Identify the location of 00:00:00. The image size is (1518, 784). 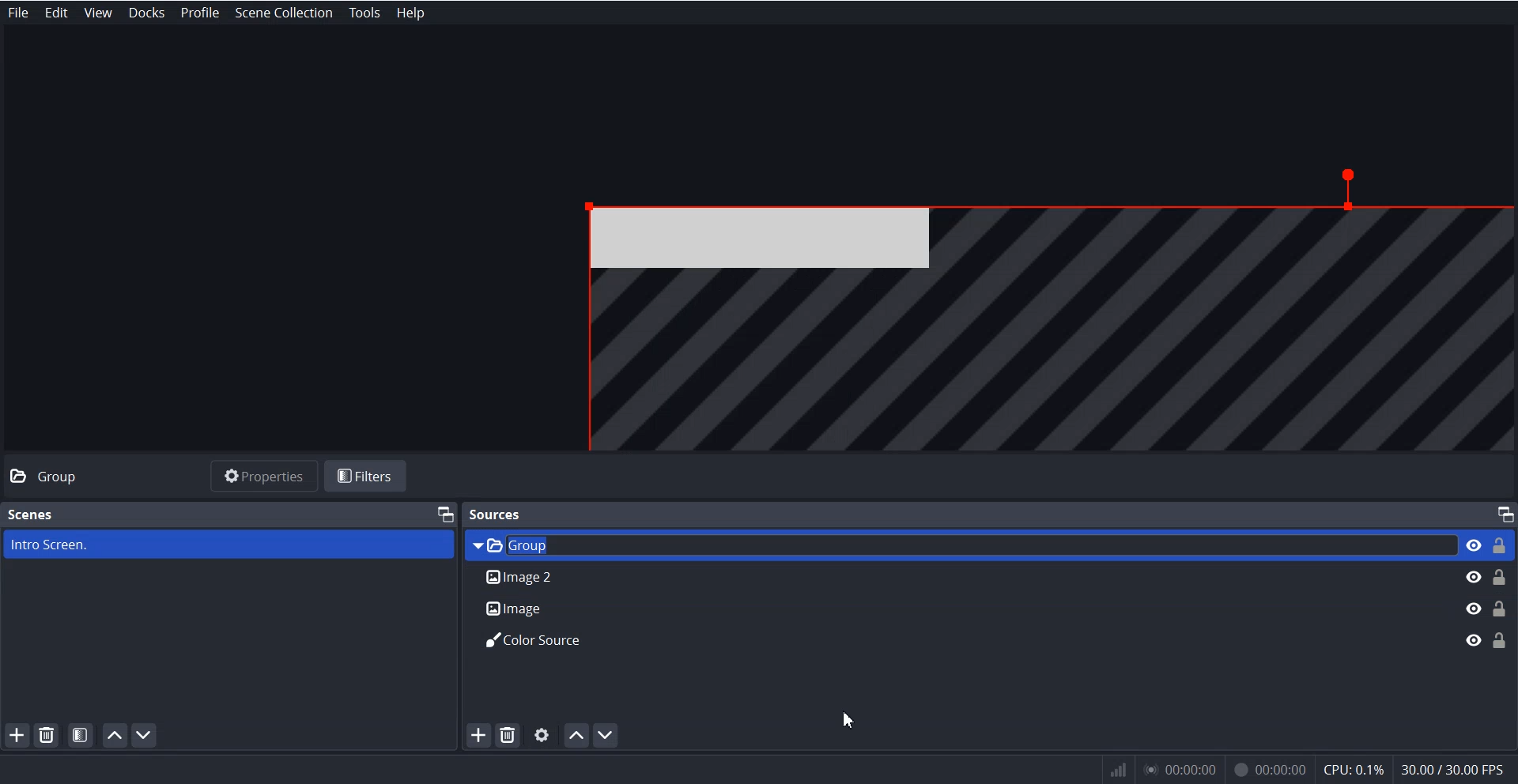
(1269, 767).